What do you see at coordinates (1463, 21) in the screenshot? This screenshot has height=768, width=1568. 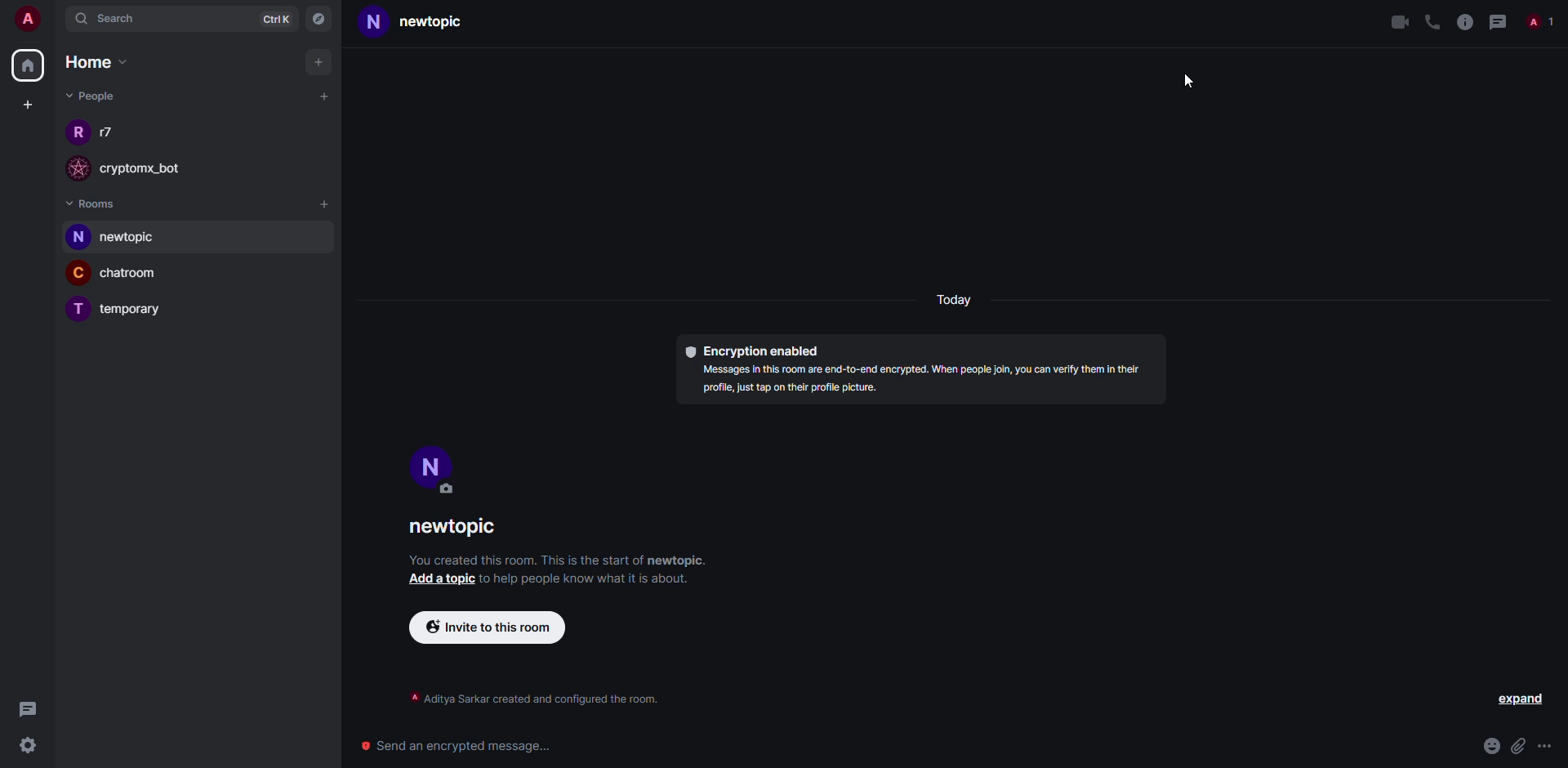 I see `info` at bounding box center [1463, 21].